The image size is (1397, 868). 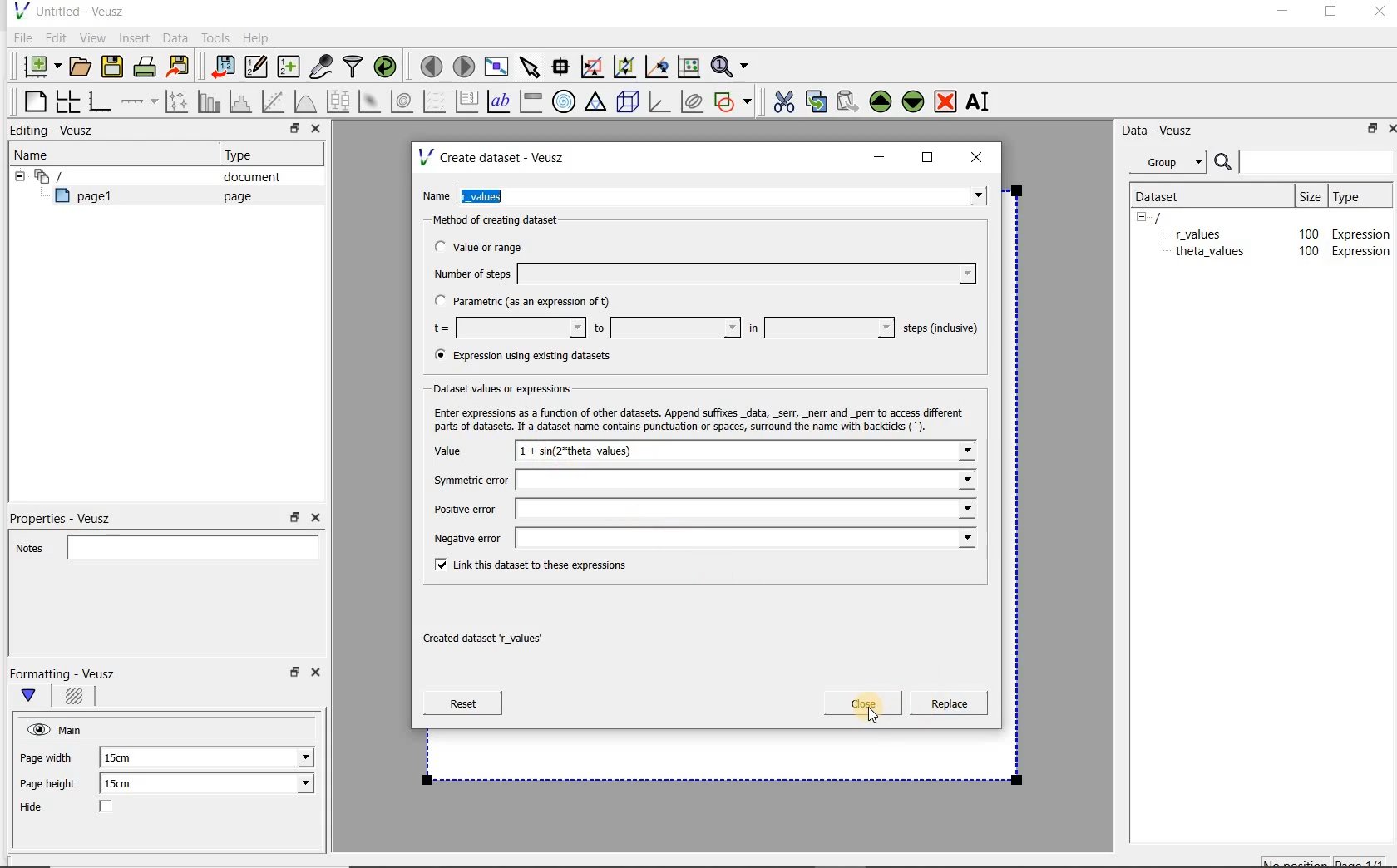 What do you see at coordinates (511, 633) in the screenshot?
I see `| Created dataset ‘theta_values"` at bounding box center [511, 633].